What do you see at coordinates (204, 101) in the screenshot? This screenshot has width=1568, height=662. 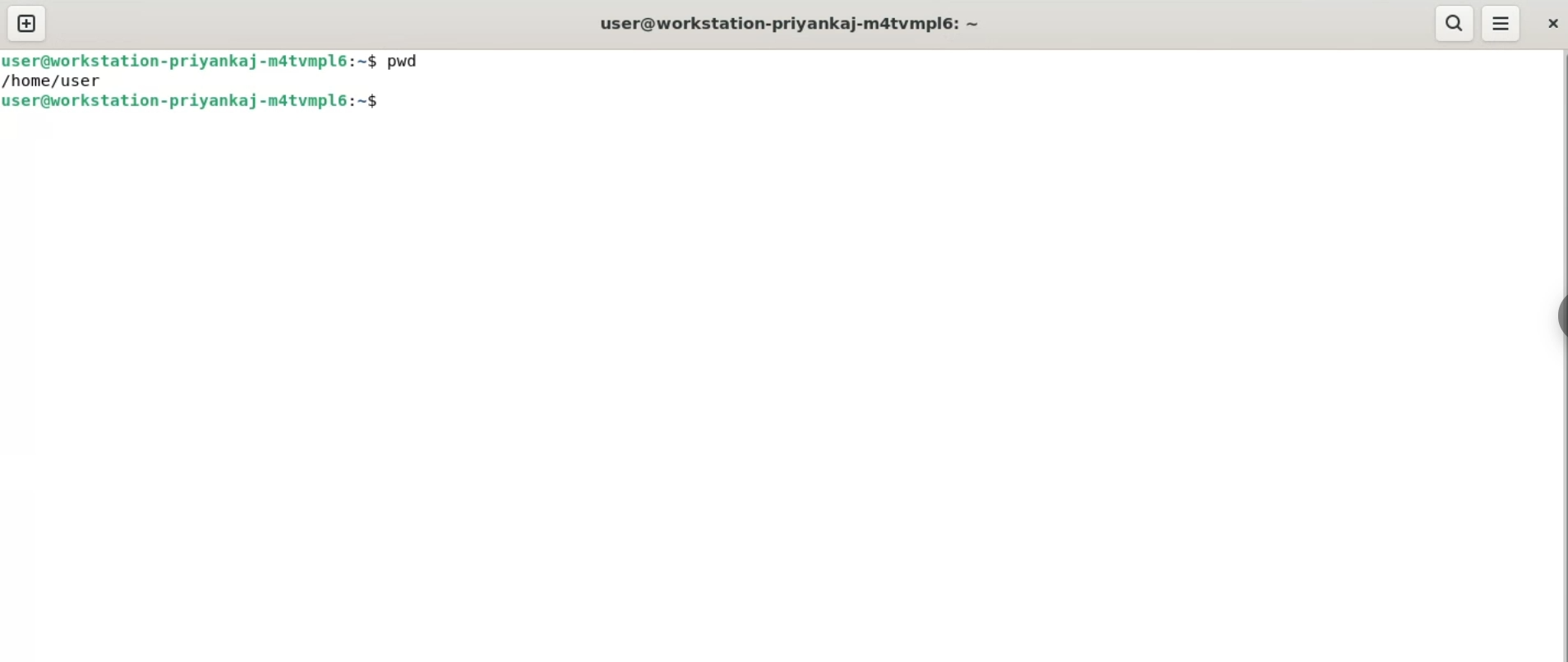 I see `user@workstaion-priyankaj-m4tvmpl6:~$` at bounding box center [204, 101].